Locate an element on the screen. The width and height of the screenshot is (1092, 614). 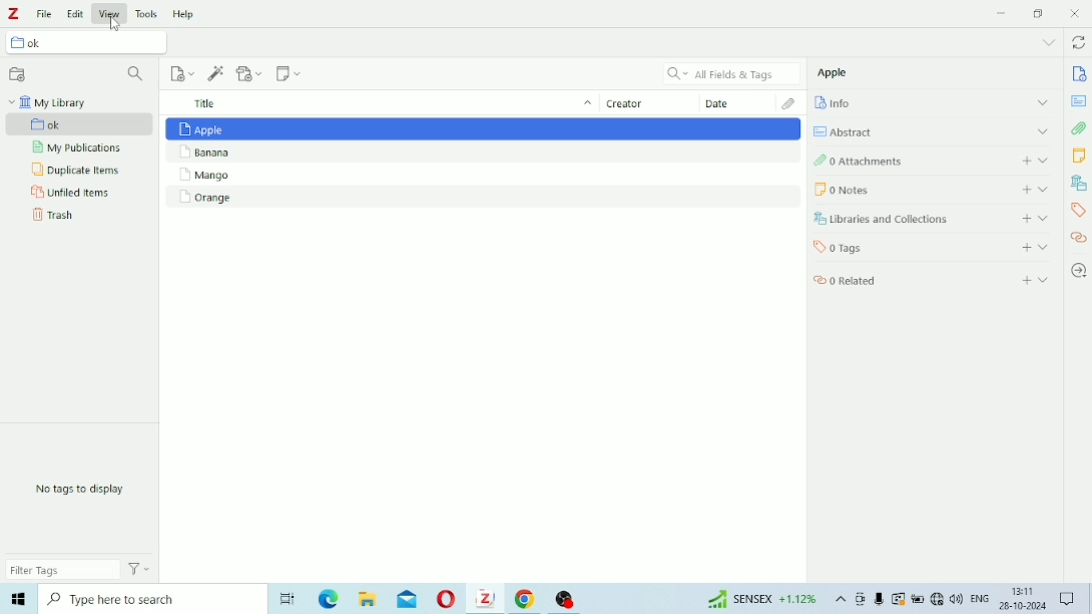
add is located at coordinates (1025, 278).